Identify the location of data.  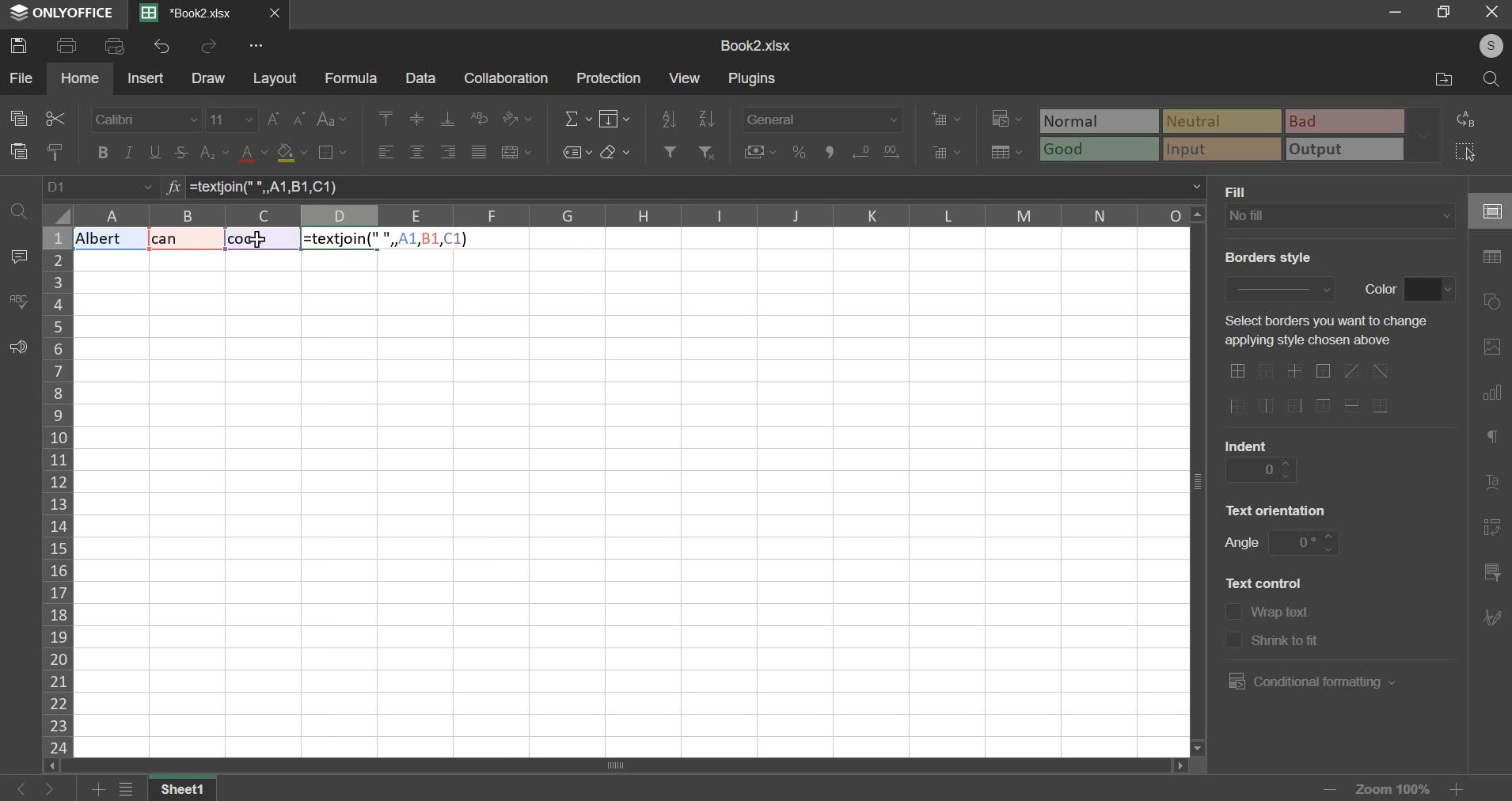
(420, 78).